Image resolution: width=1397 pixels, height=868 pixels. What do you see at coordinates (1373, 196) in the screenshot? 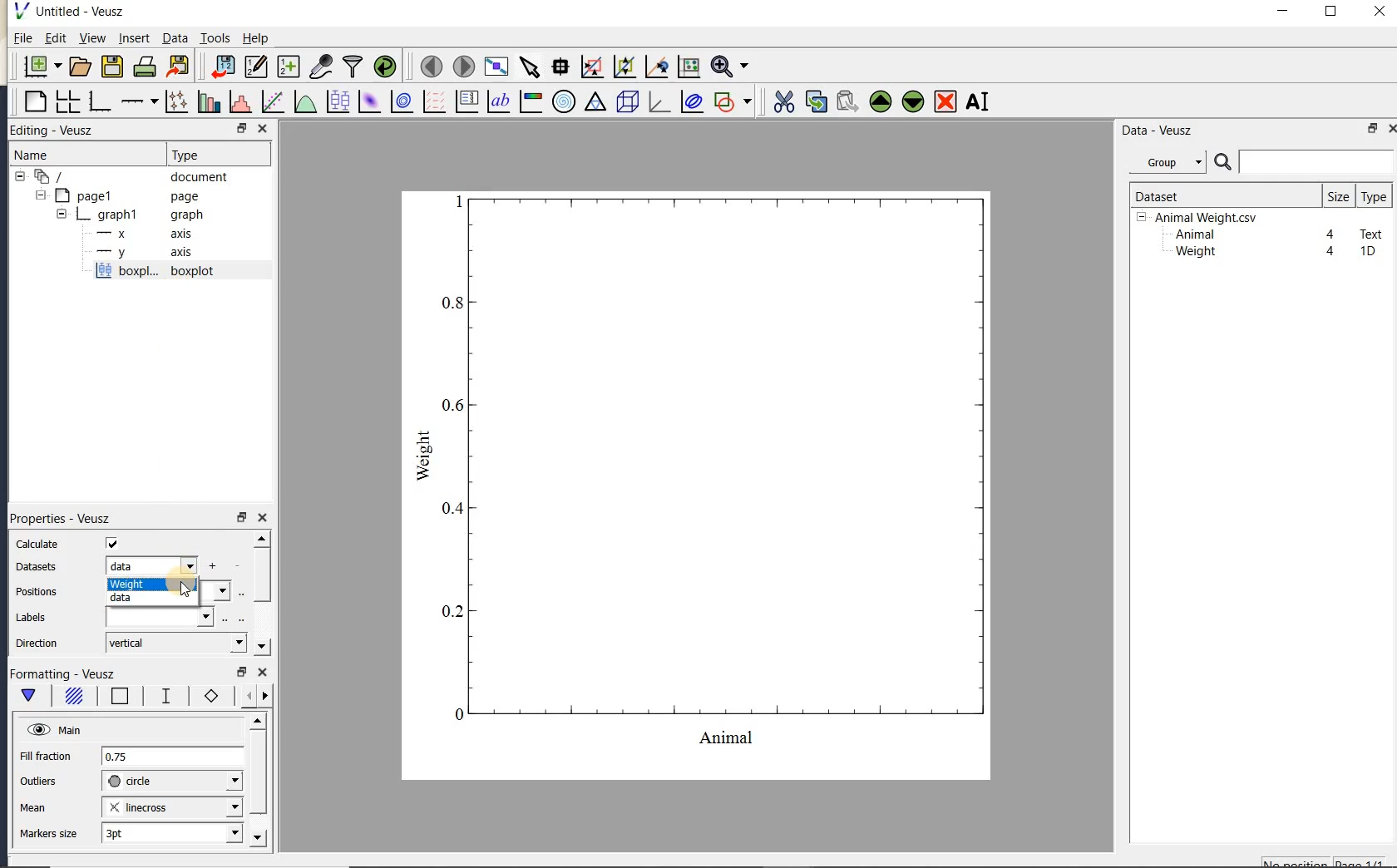
I see `type` at bounding box center [1373, 196].